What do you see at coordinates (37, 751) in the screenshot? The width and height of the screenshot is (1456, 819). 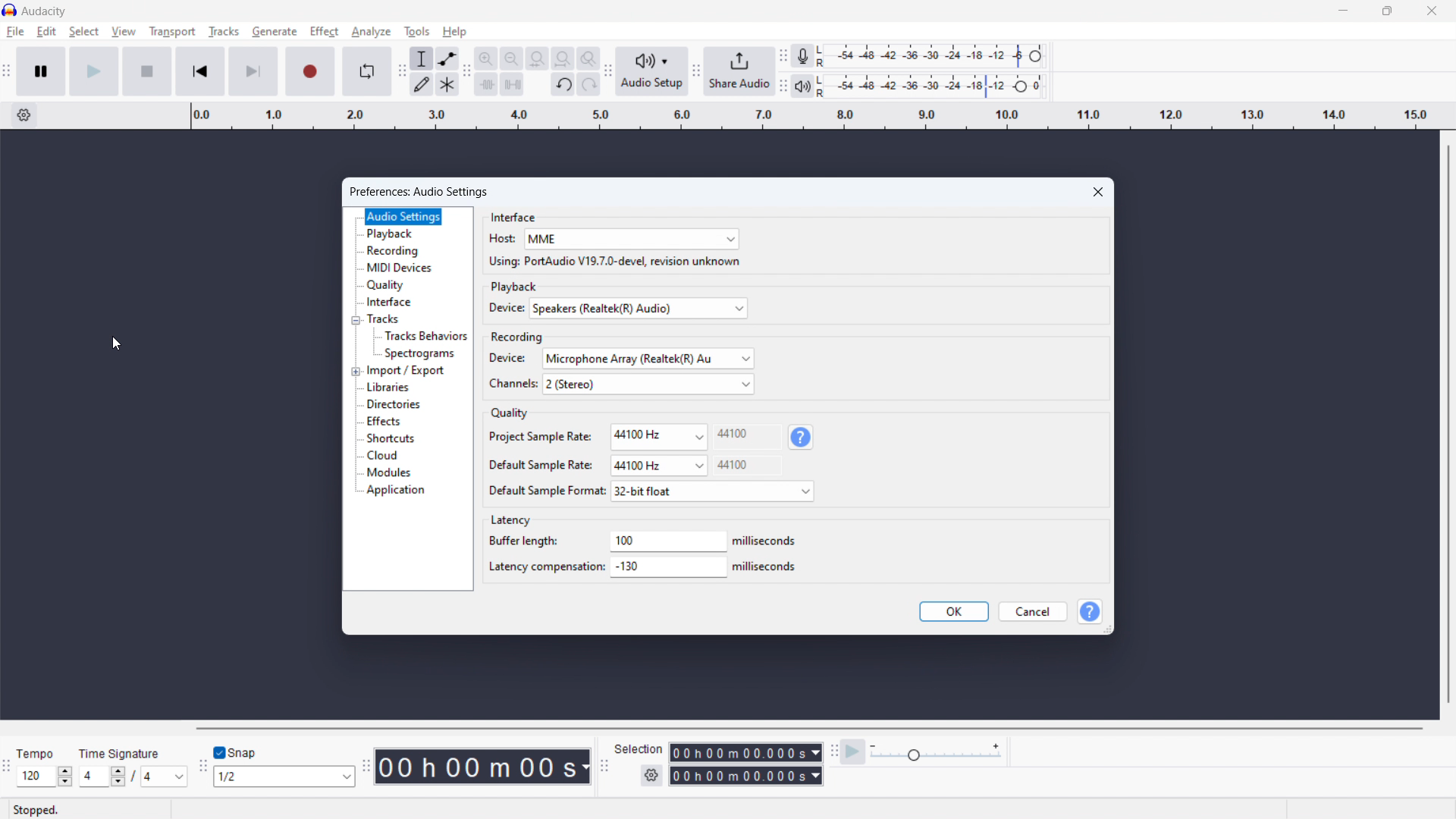 I see `Tempo` at bounding box center [37, 751].